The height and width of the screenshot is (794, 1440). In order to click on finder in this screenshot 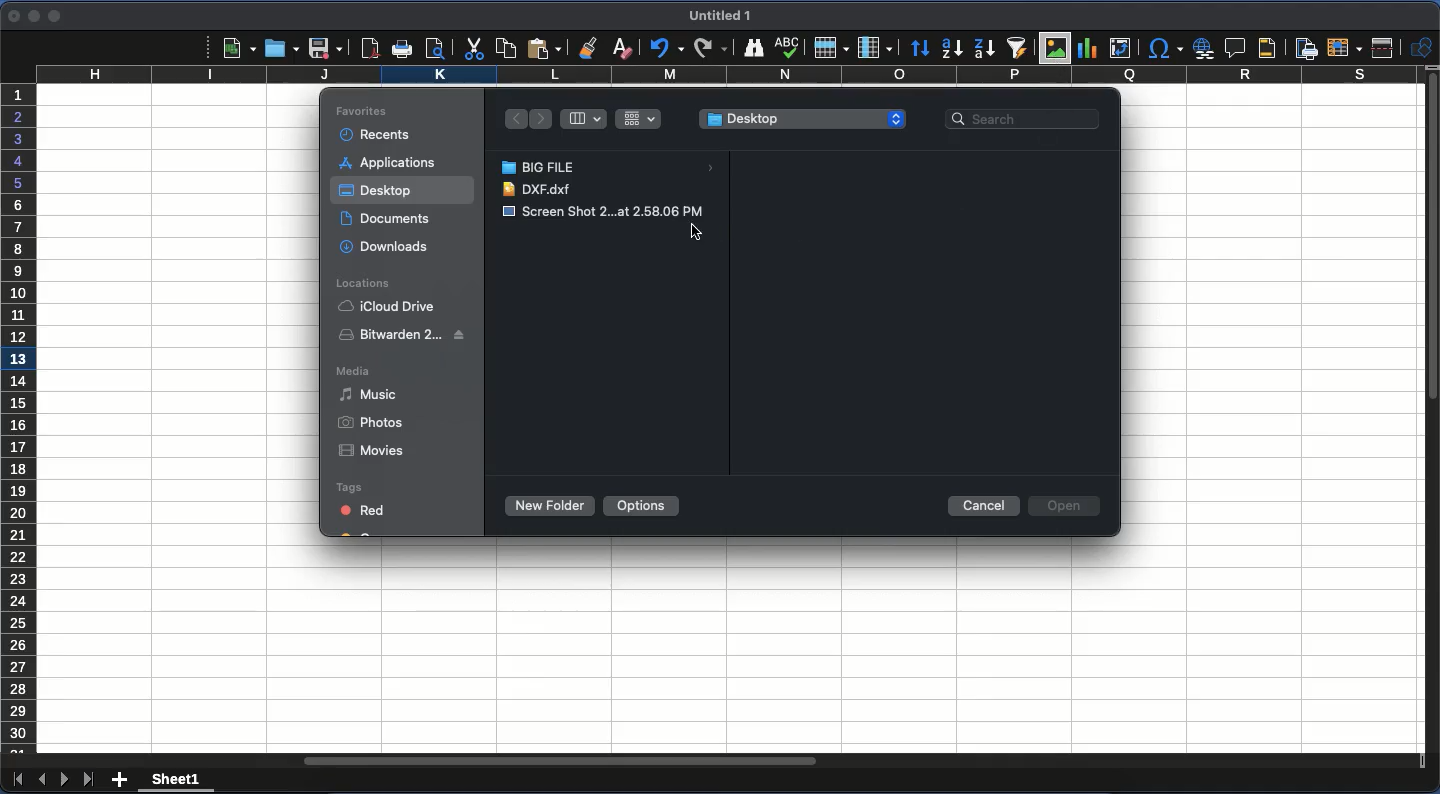, I will do `click(754, 47)`.